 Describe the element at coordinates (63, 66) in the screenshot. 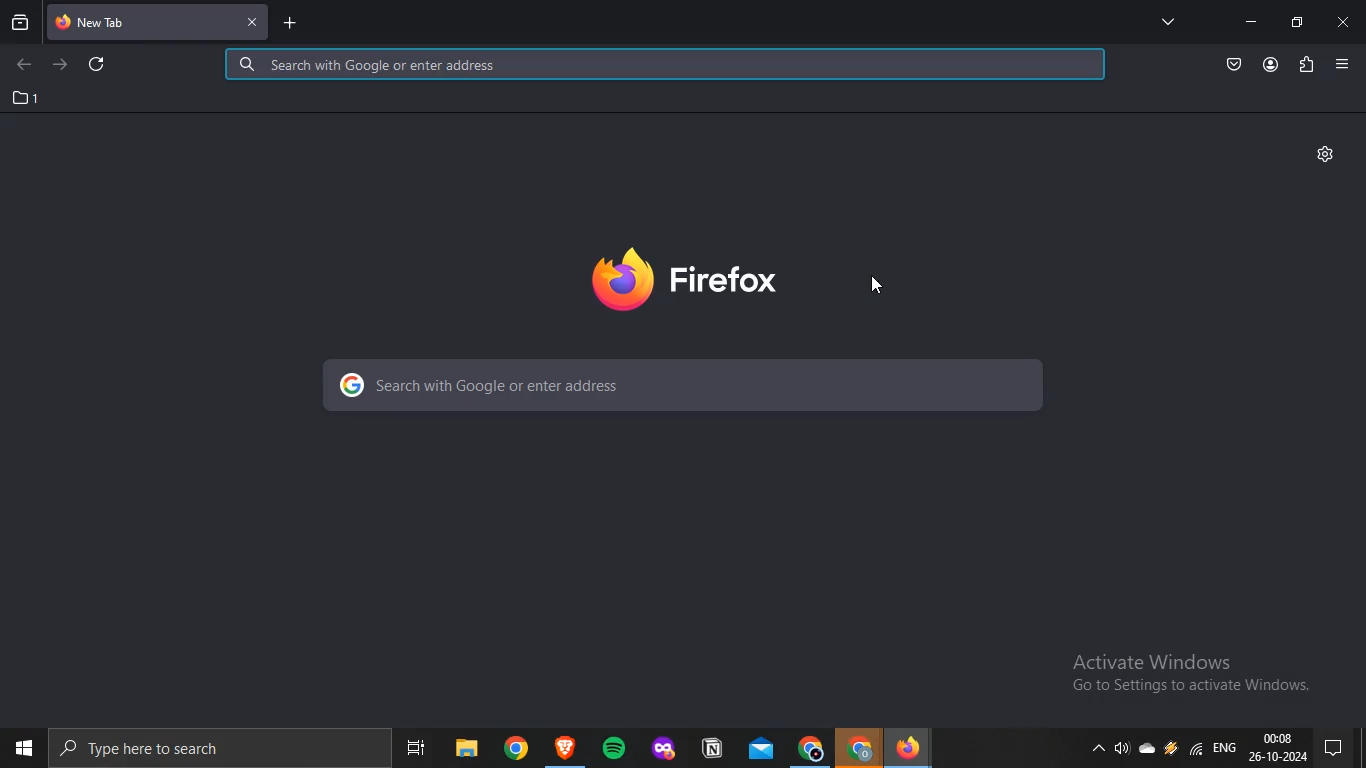

I see `forward` at that location.